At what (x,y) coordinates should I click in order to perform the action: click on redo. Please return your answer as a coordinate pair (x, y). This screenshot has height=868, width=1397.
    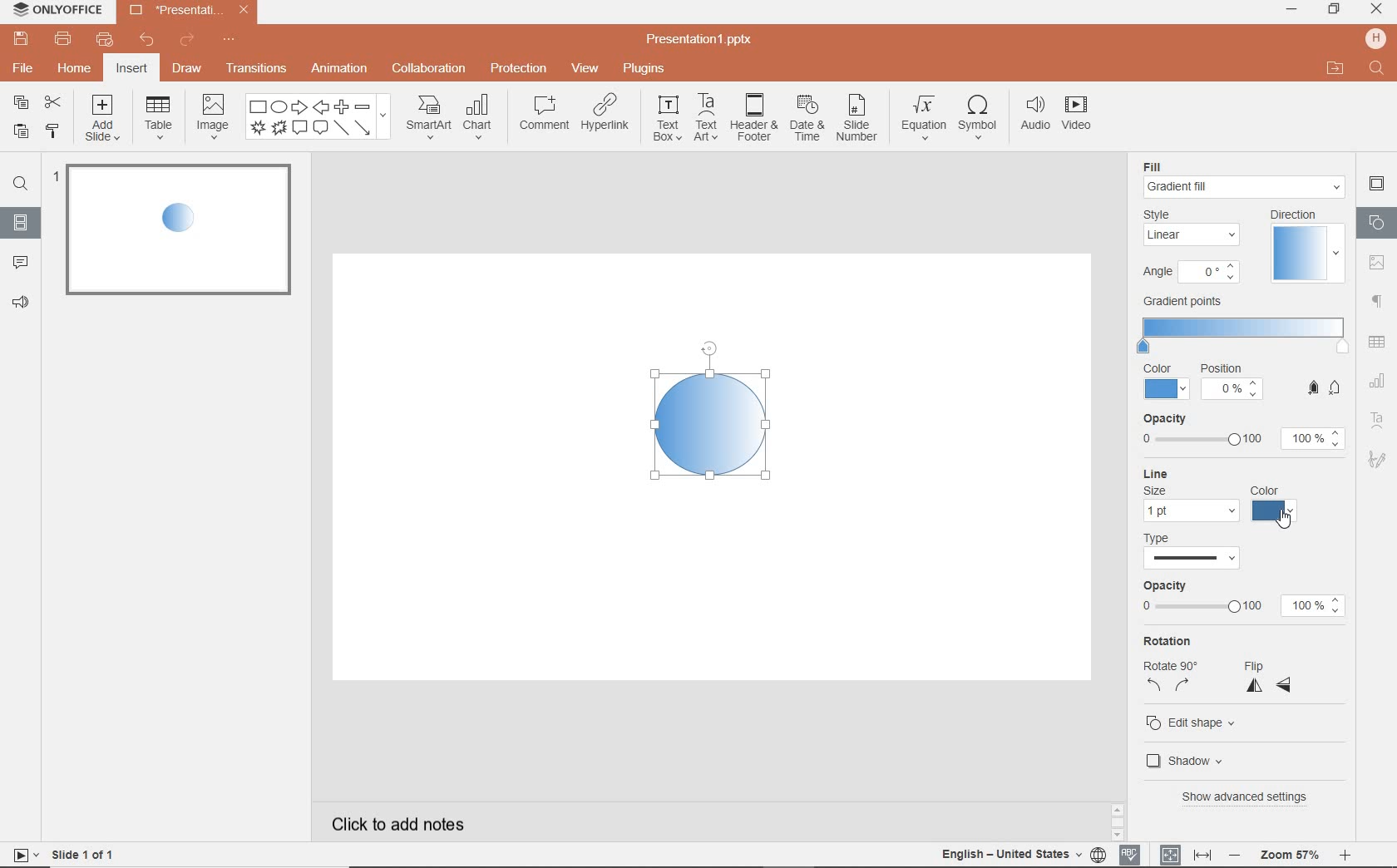
    Looking at the image, I should click on (188, 40).